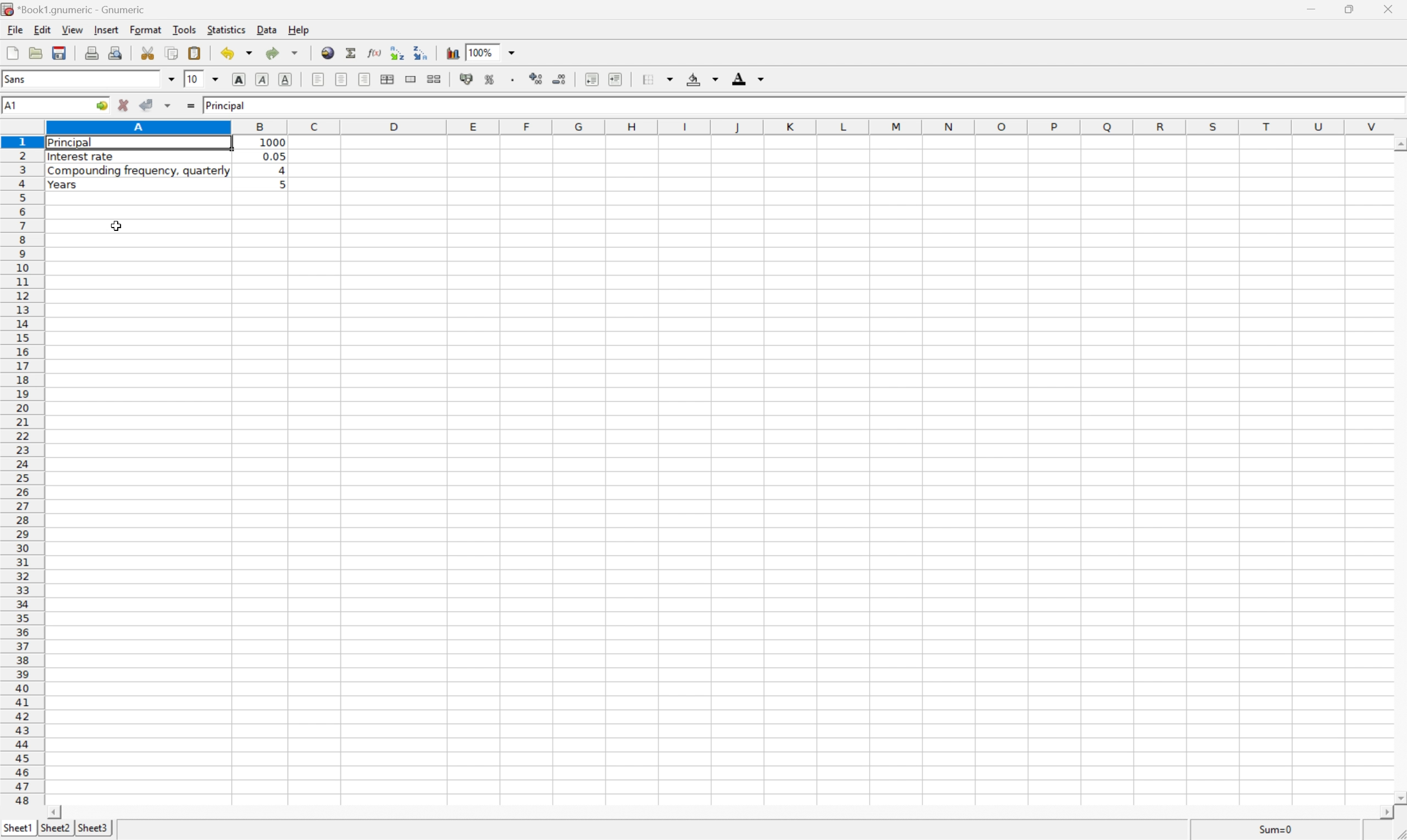  What do you see at coordinates (57, 832) in the screenshot?
I see `sheet2` at bounding box center [57, 832].